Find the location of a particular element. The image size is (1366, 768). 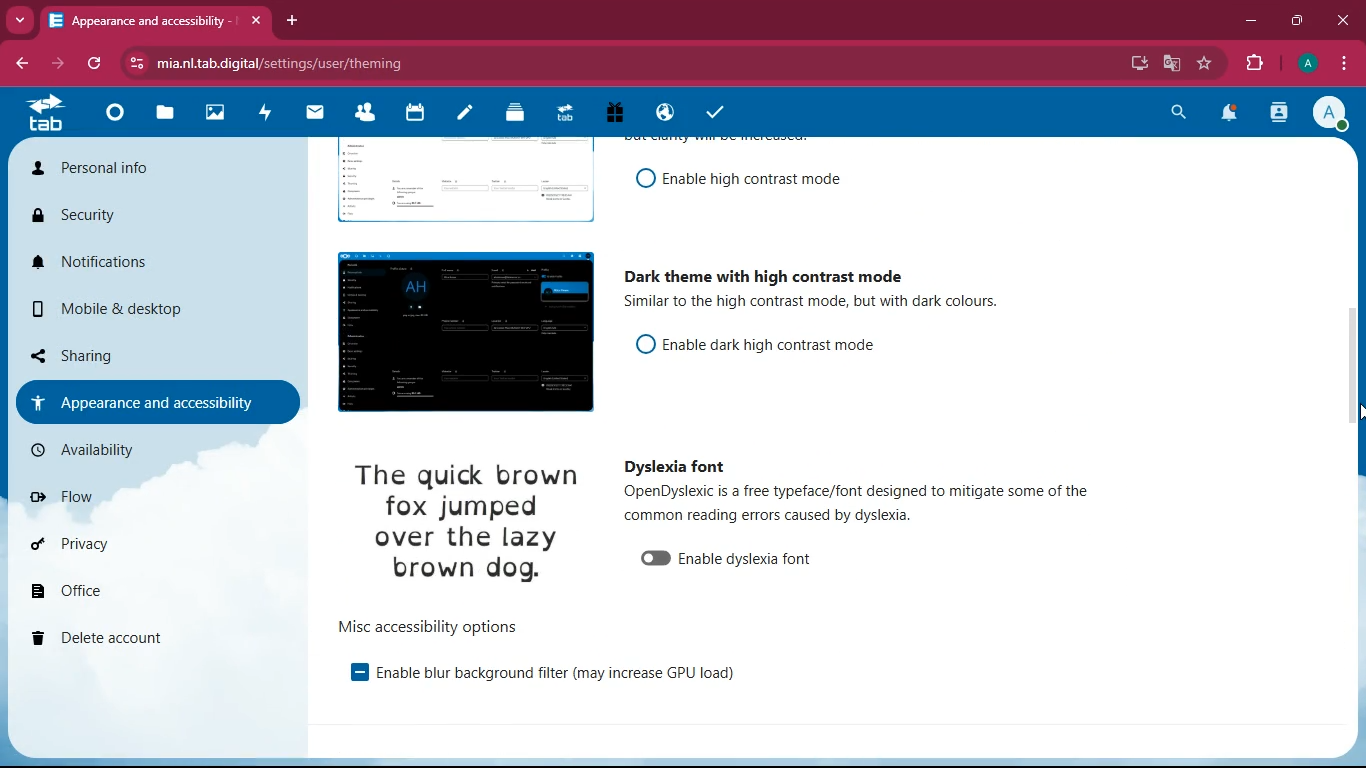

maximize is located at coordinates (1293, 19).